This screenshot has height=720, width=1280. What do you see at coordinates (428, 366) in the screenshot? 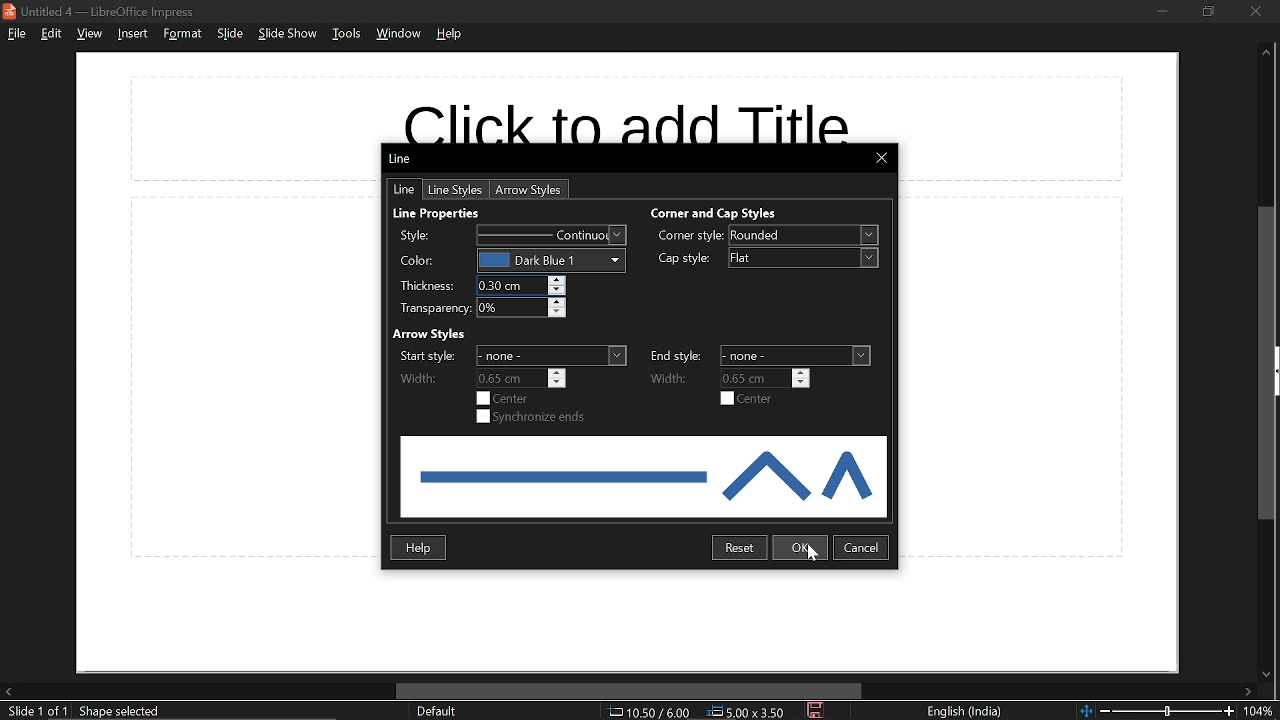
I see `Lables` at bounding box center [428, 366].